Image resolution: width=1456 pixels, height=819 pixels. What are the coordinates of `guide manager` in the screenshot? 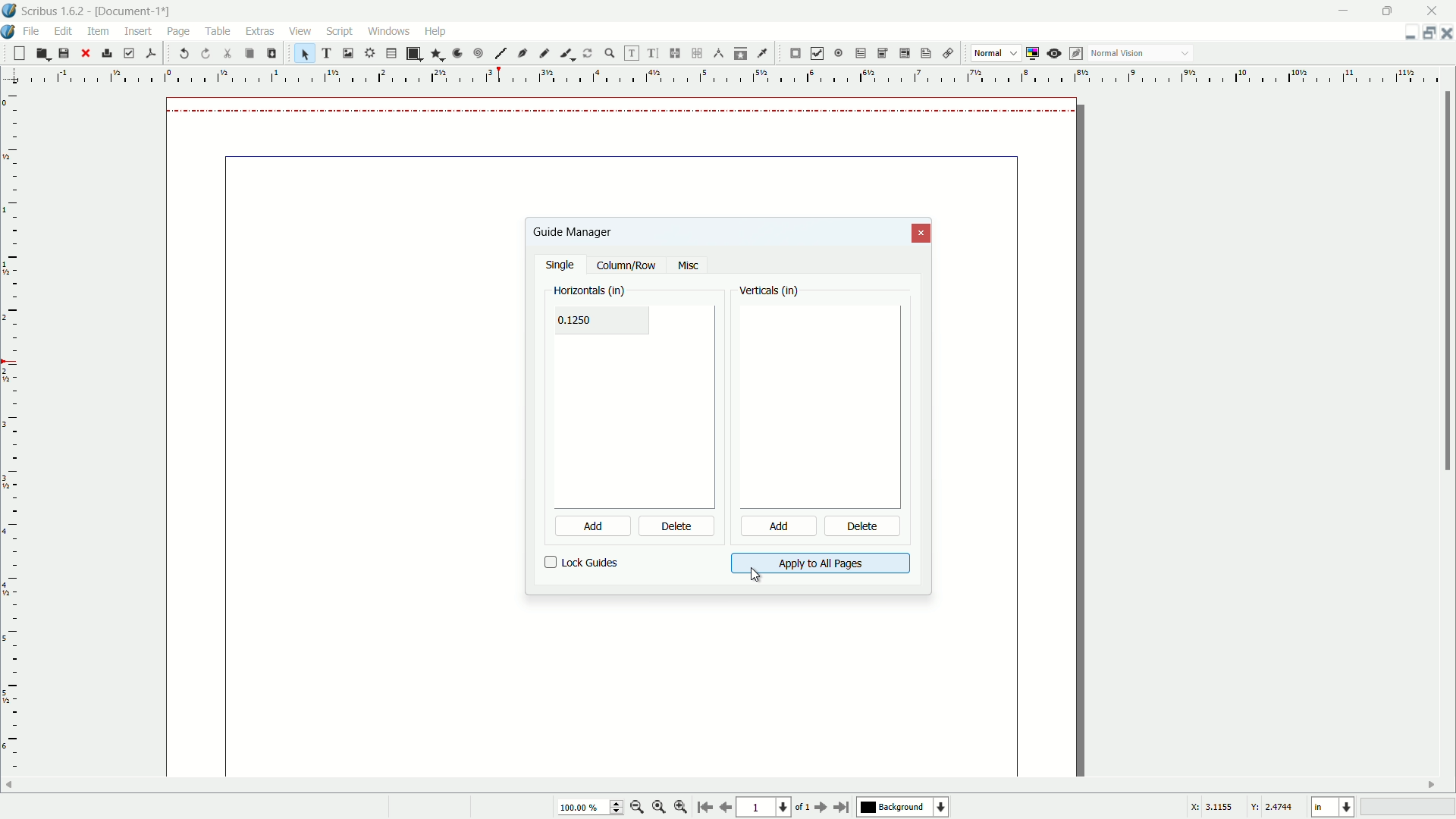 It's located at (1405, 33).